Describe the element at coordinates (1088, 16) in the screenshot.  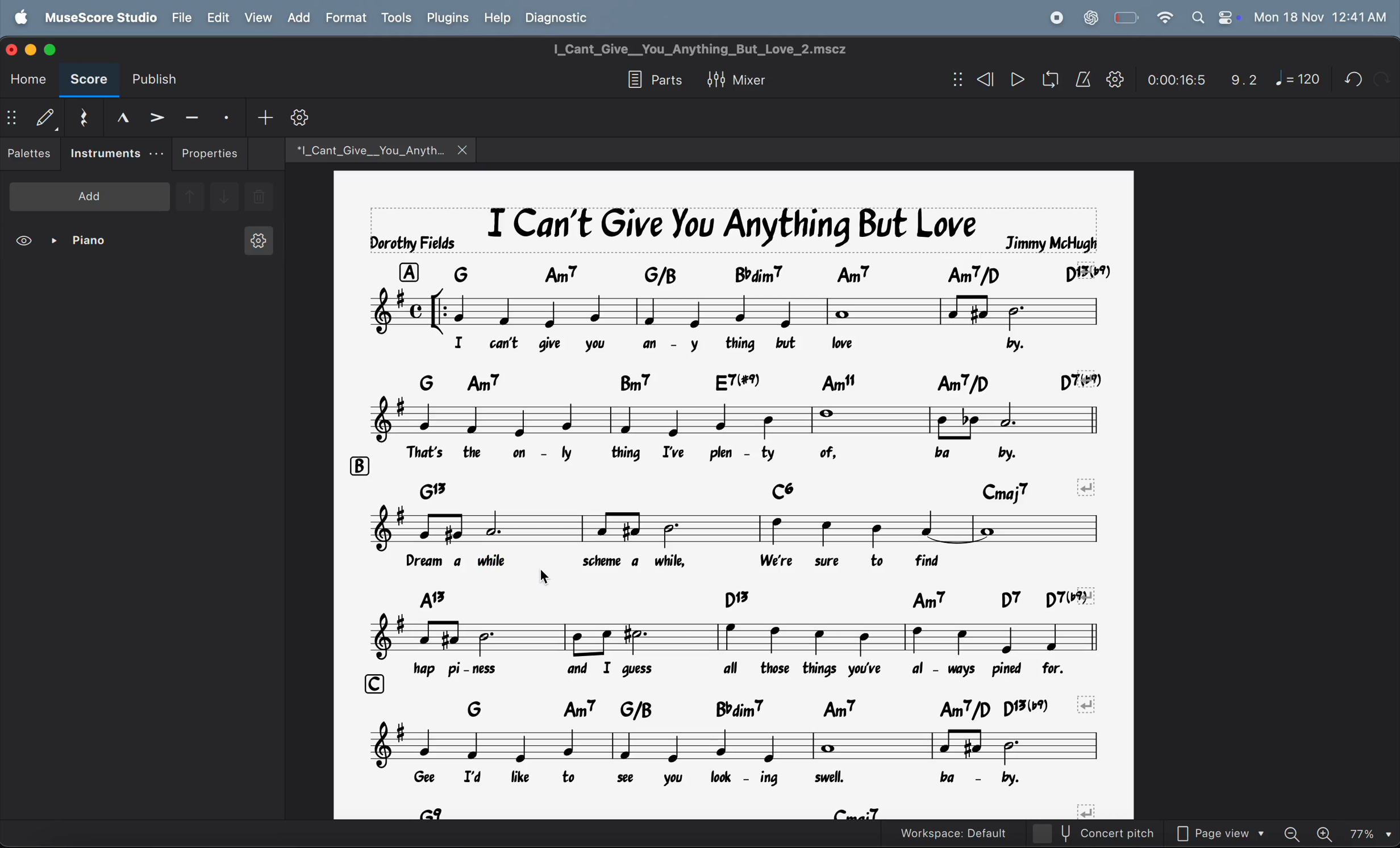
I see `chat gpt` at that location.